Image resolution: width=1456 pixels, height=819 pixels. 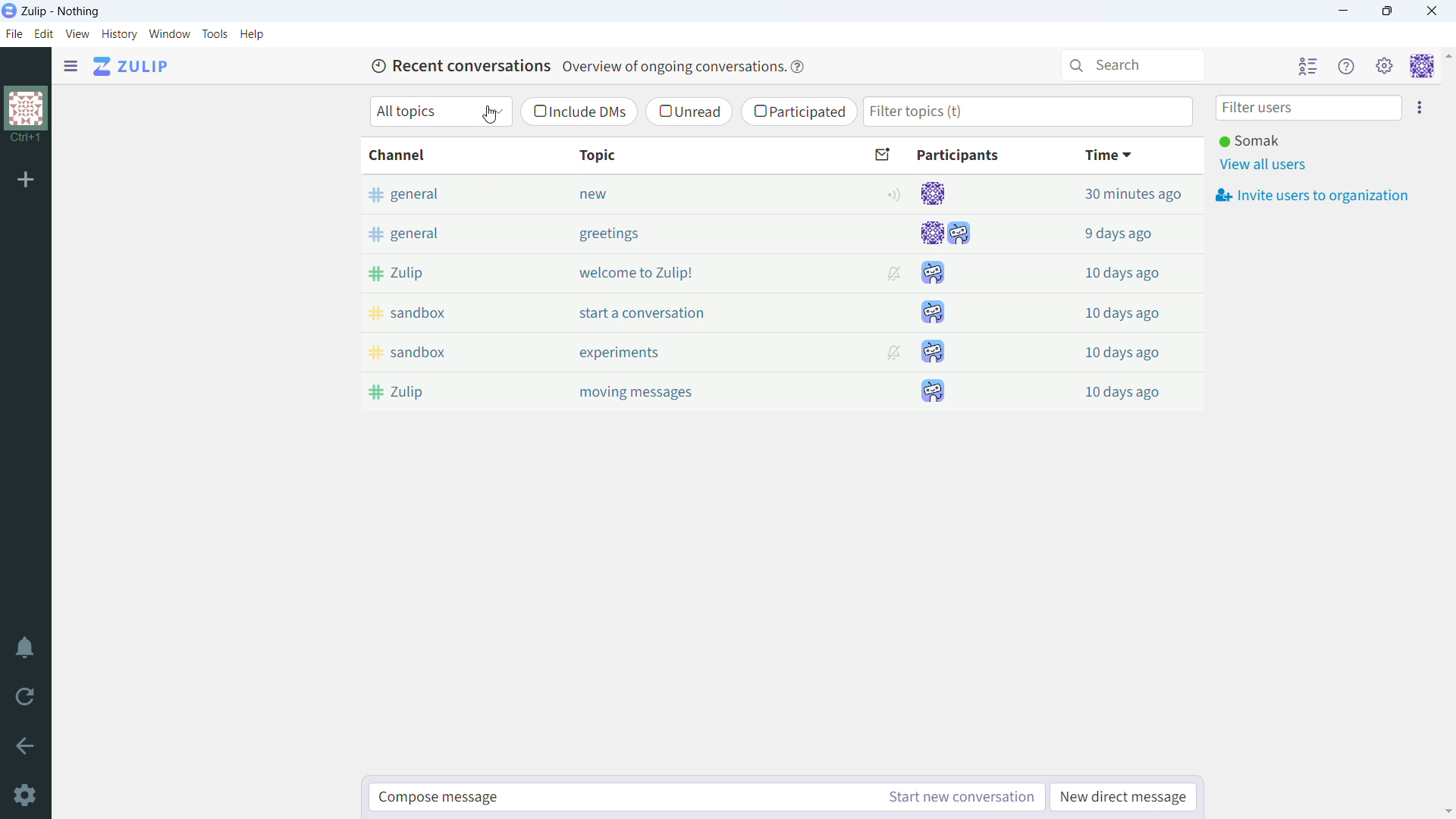 What do you see at coordinates (678, 273) in the screenshot?
I see `welcome to Zulip!` at bounding box center [678, 273].